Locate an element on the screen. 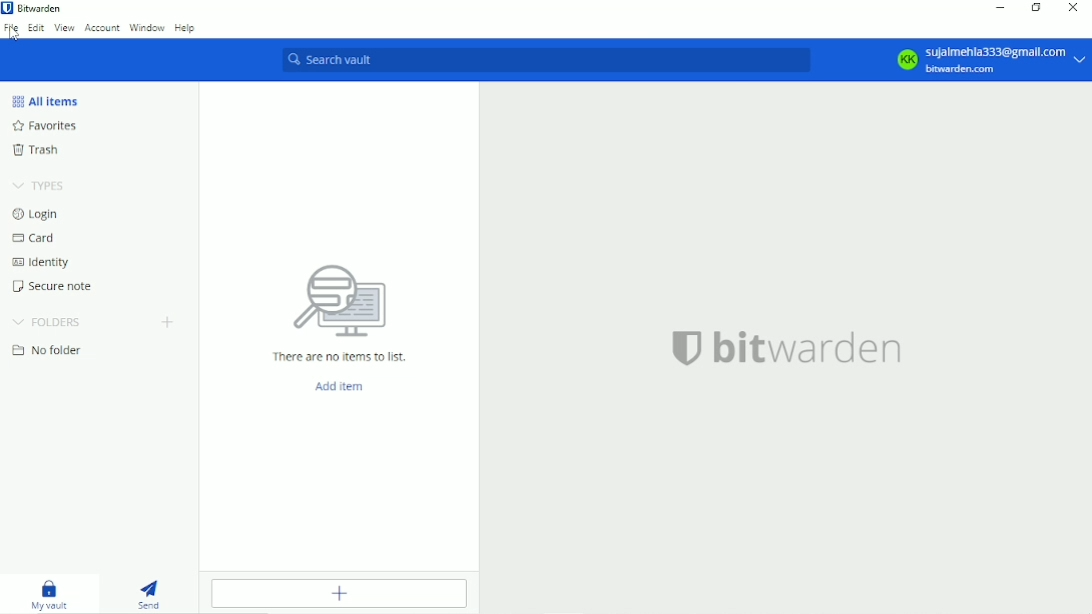 Image resolution: width=1092 pixels, height=614 pixels. Search vault is located at coordinates (545, 60).